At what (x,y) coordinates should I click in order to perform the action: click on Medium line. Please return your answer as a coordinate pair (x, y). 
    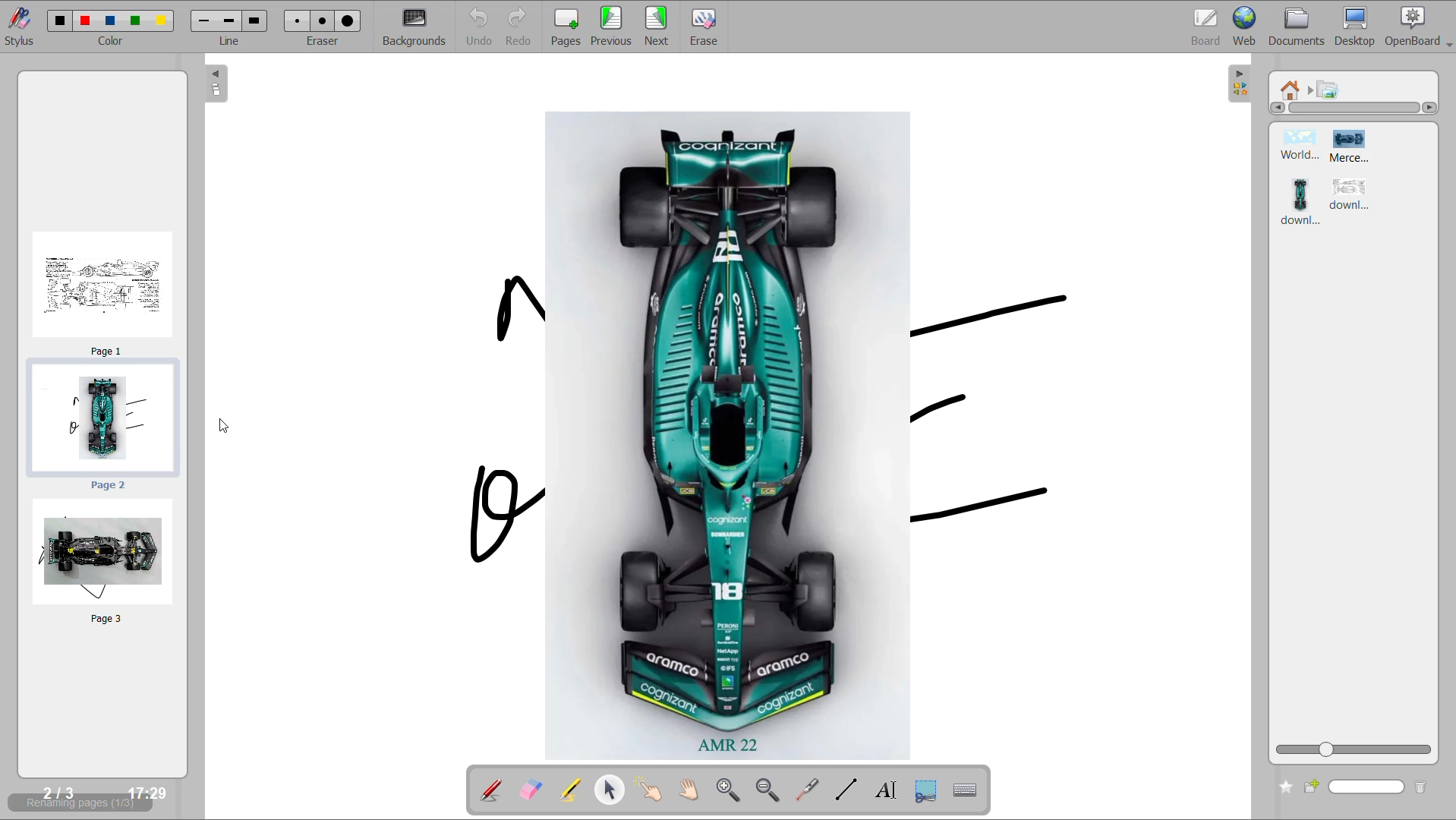
    Looking at the image, I should click on (206, 21).